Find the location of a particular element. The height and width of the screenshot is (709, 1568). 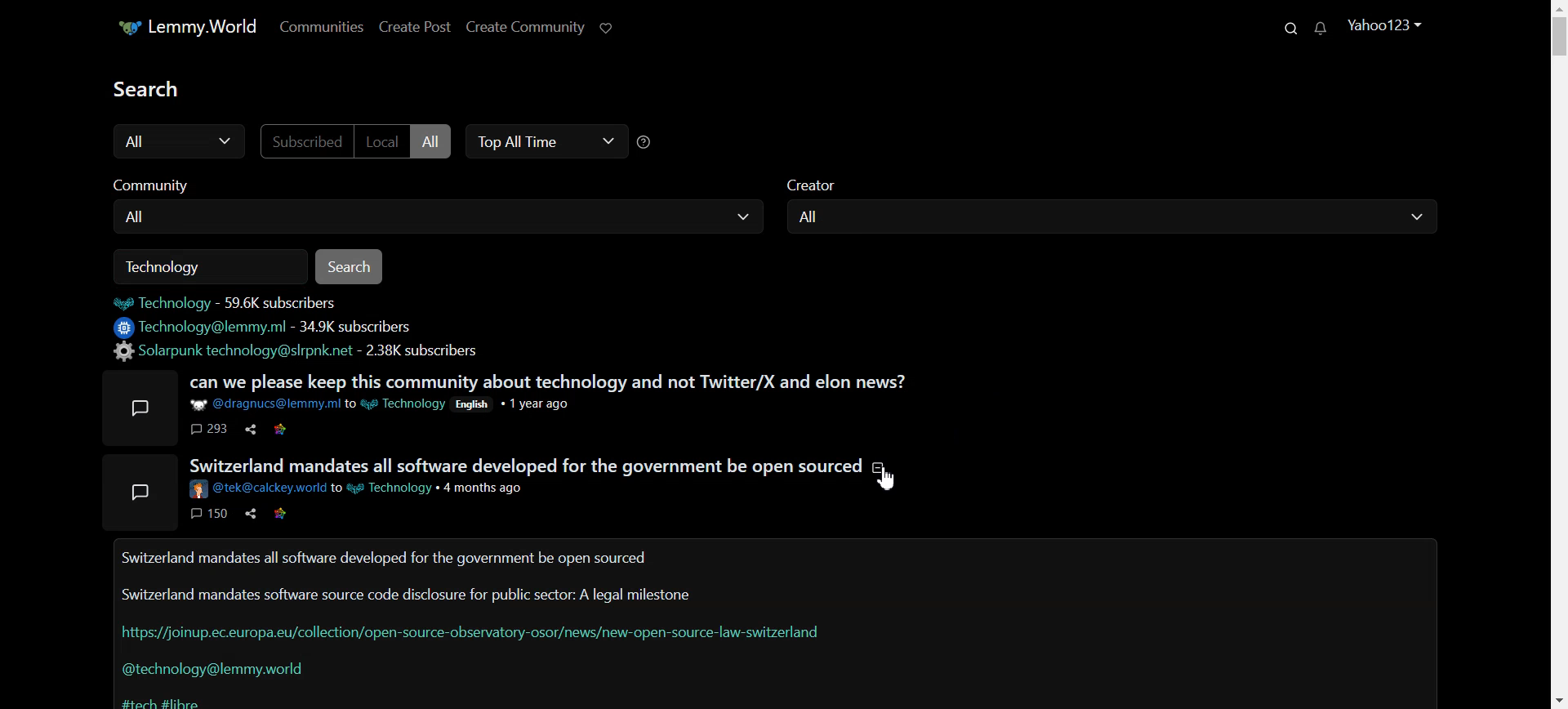

All is located at coordinates (436, 142).